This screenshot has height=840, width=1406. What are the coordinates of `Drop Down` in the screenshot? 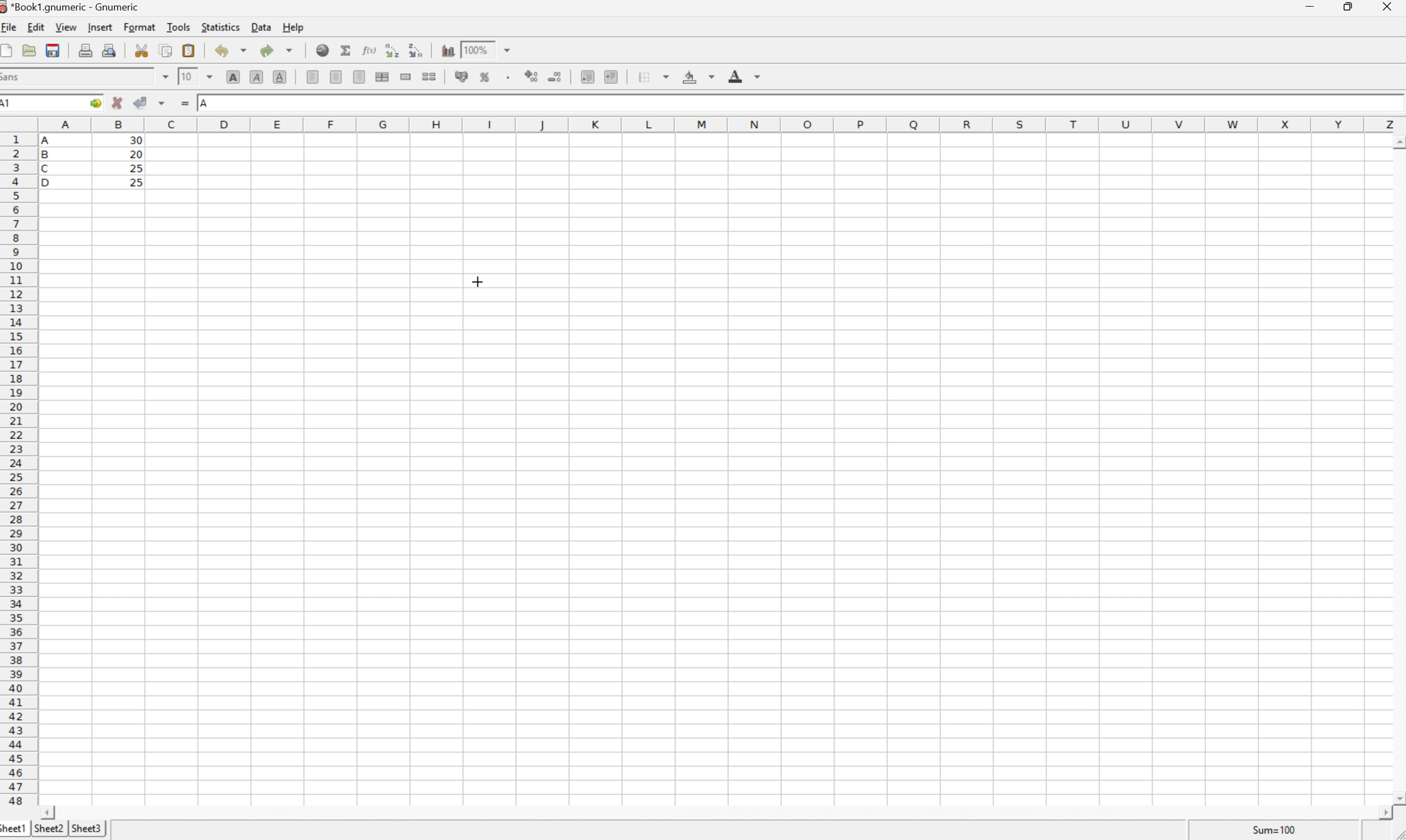 It's located at (164, 76).